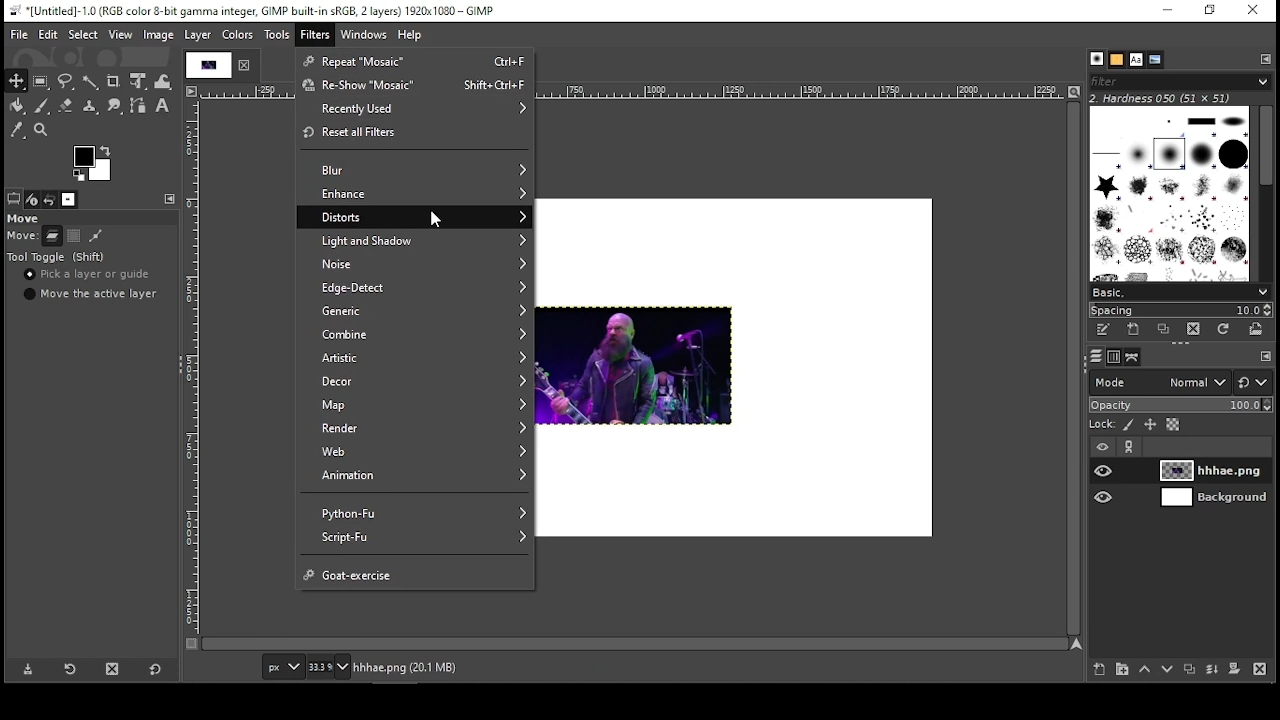 The height and width of the screenshot is (720, 1280). Describe the element at coordinates (40, 80) in the screenshot. I see `rectangular selection tool` at that location.